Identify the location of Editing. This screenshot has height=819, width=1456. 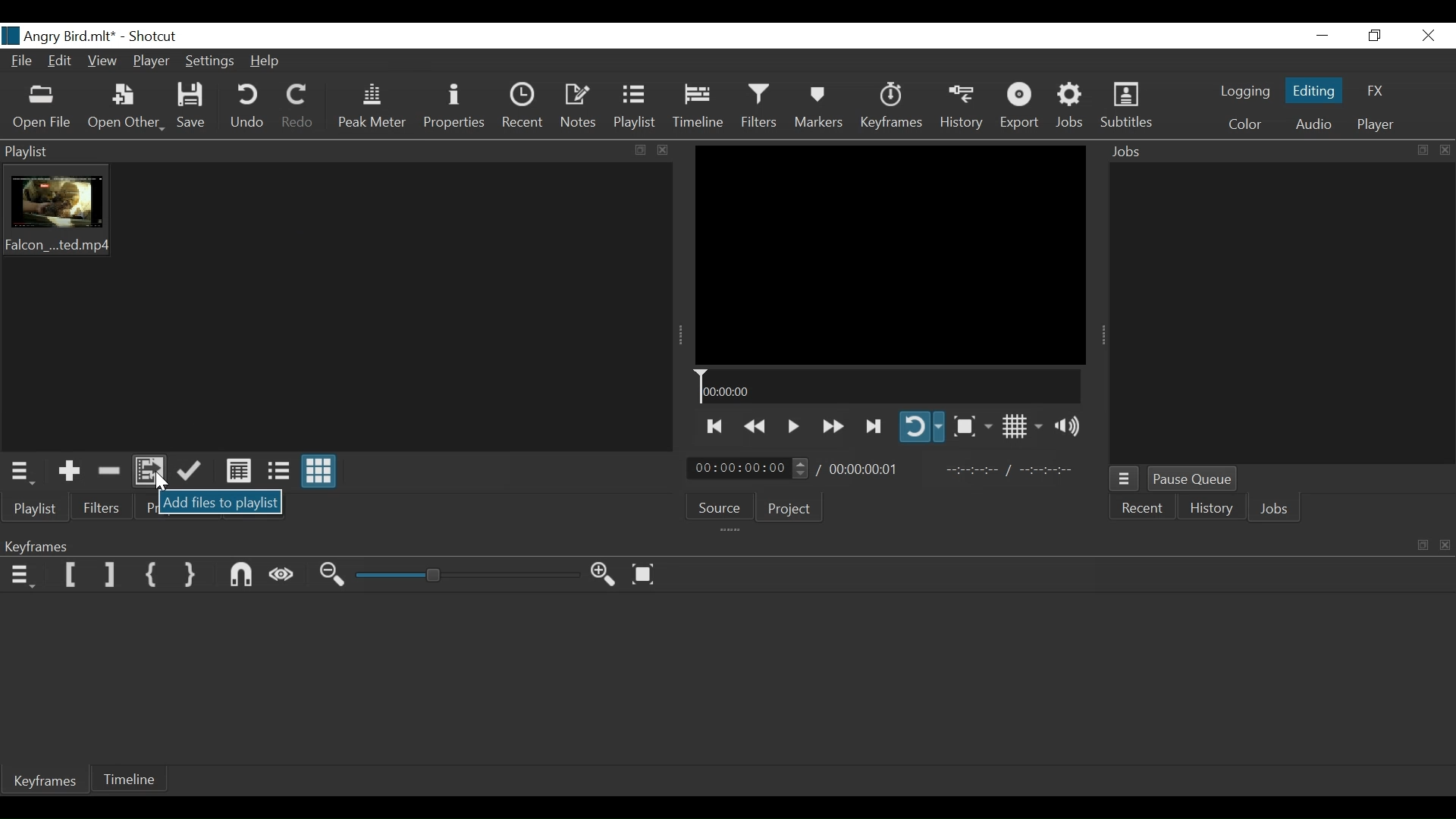
(1316, 91).